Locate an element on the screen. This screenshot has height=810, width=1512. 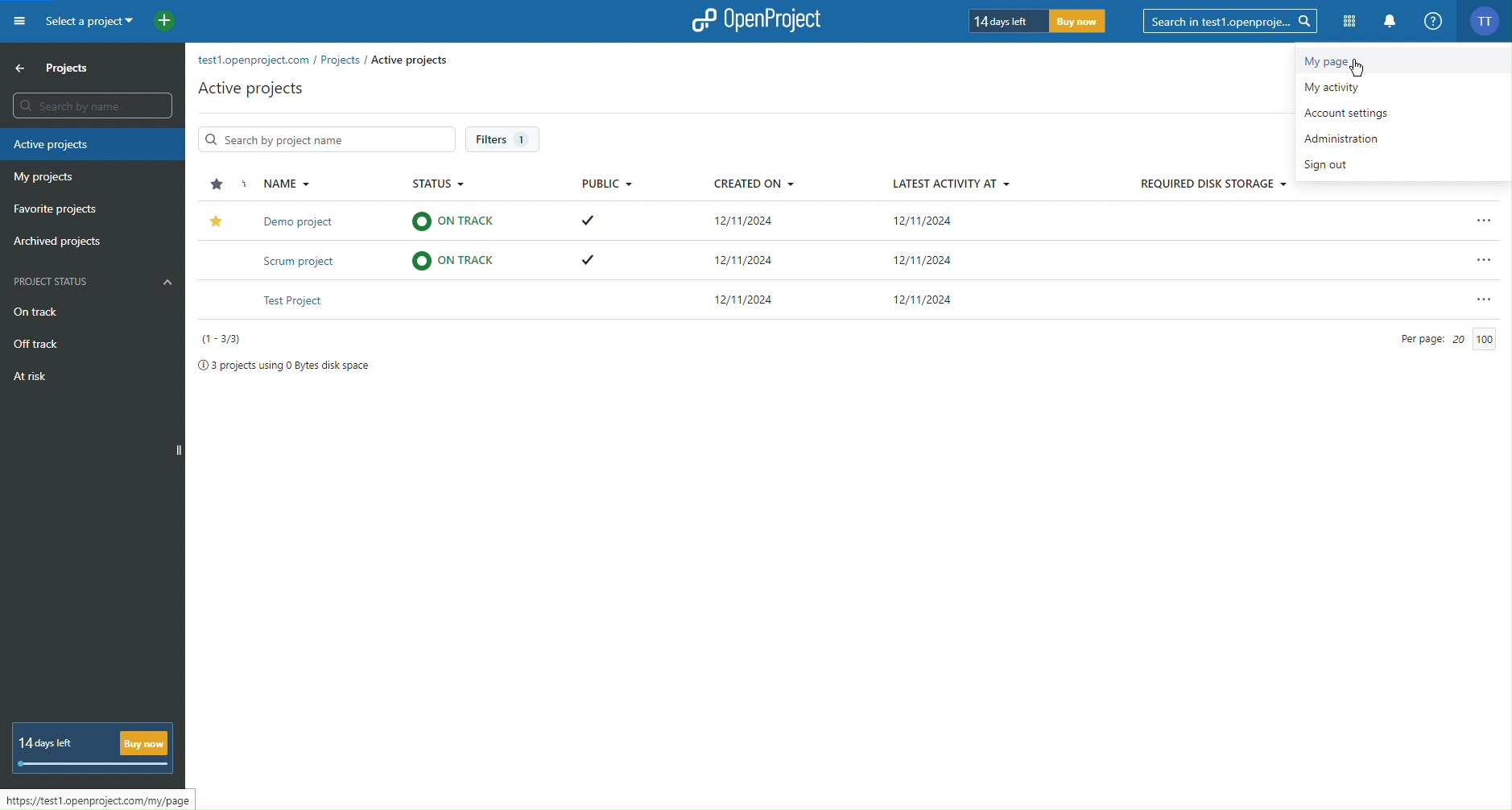
Numbers is located at coordinates (229, 339).